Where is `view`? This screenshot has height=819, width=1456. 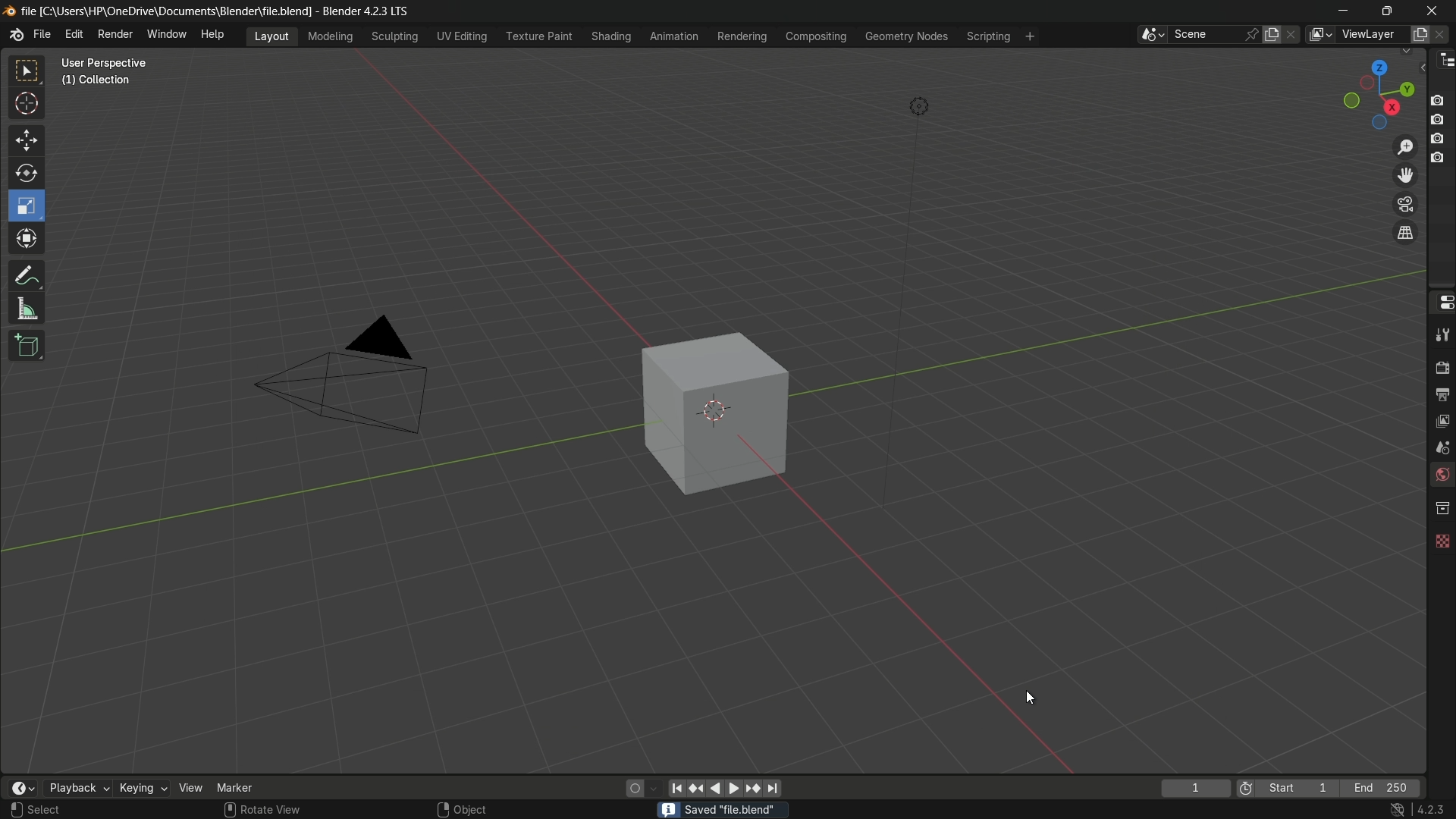
view is located at coordinates (191, 787).